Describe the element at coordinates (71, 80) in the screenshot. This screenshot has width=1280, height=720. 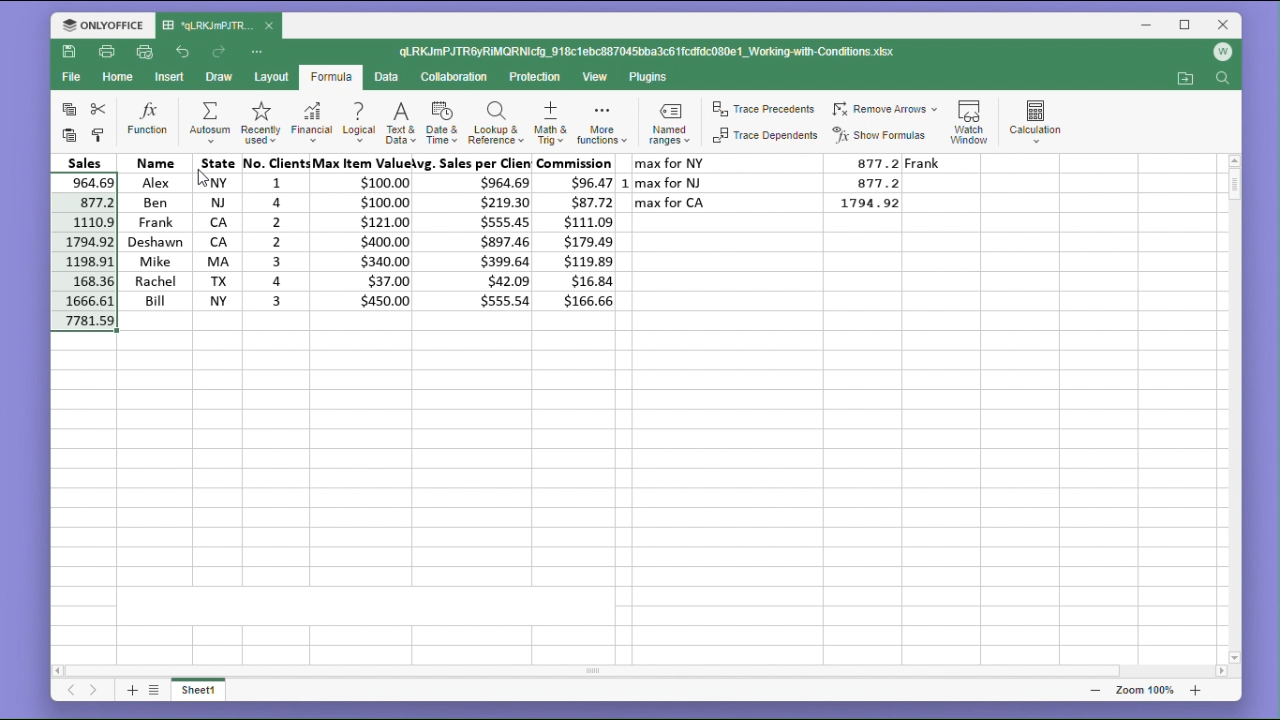
I see `file` at that location.